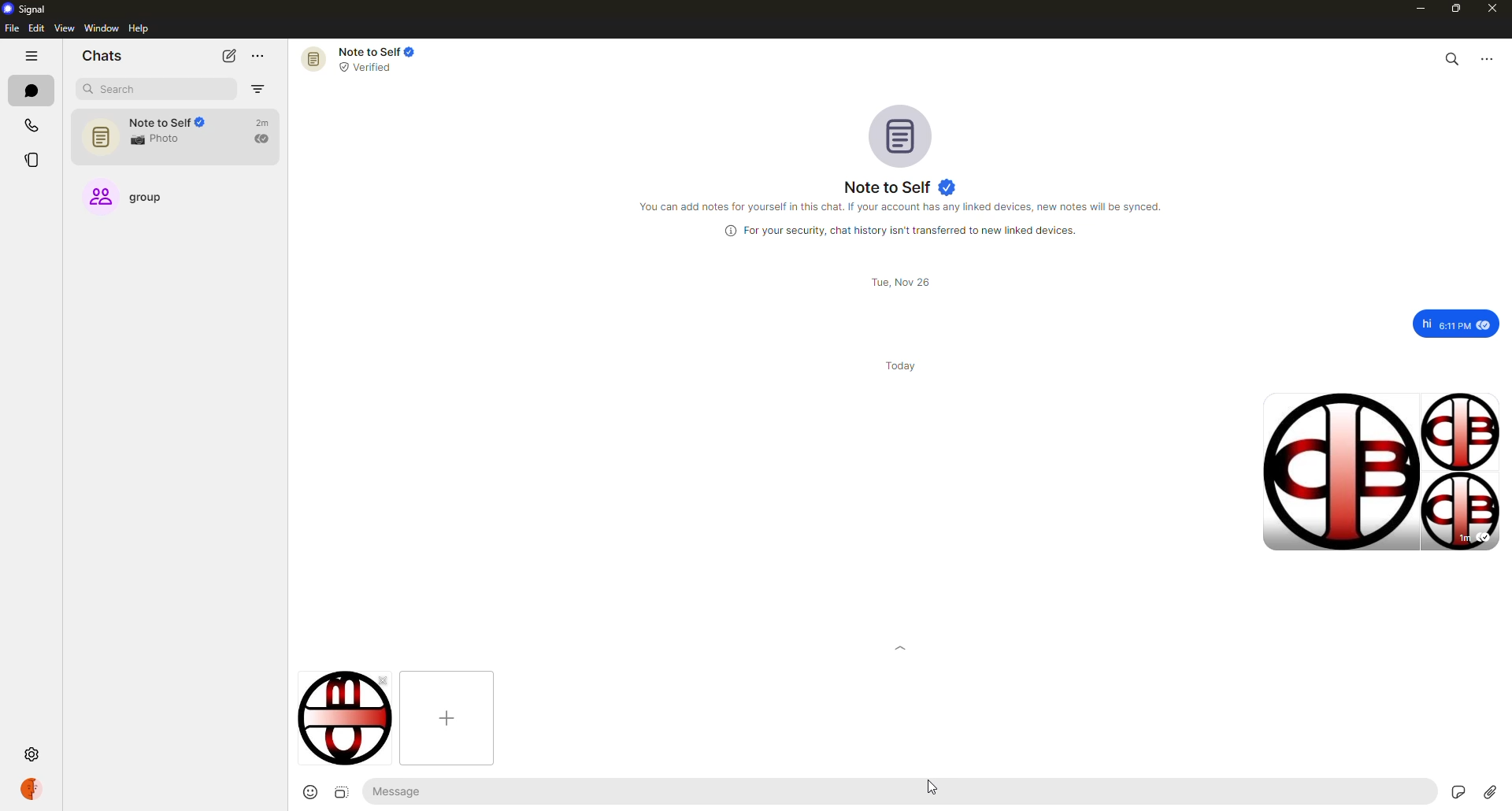 This screenshot has height=811, width=1512. I want to click on message, so click(450, 791).